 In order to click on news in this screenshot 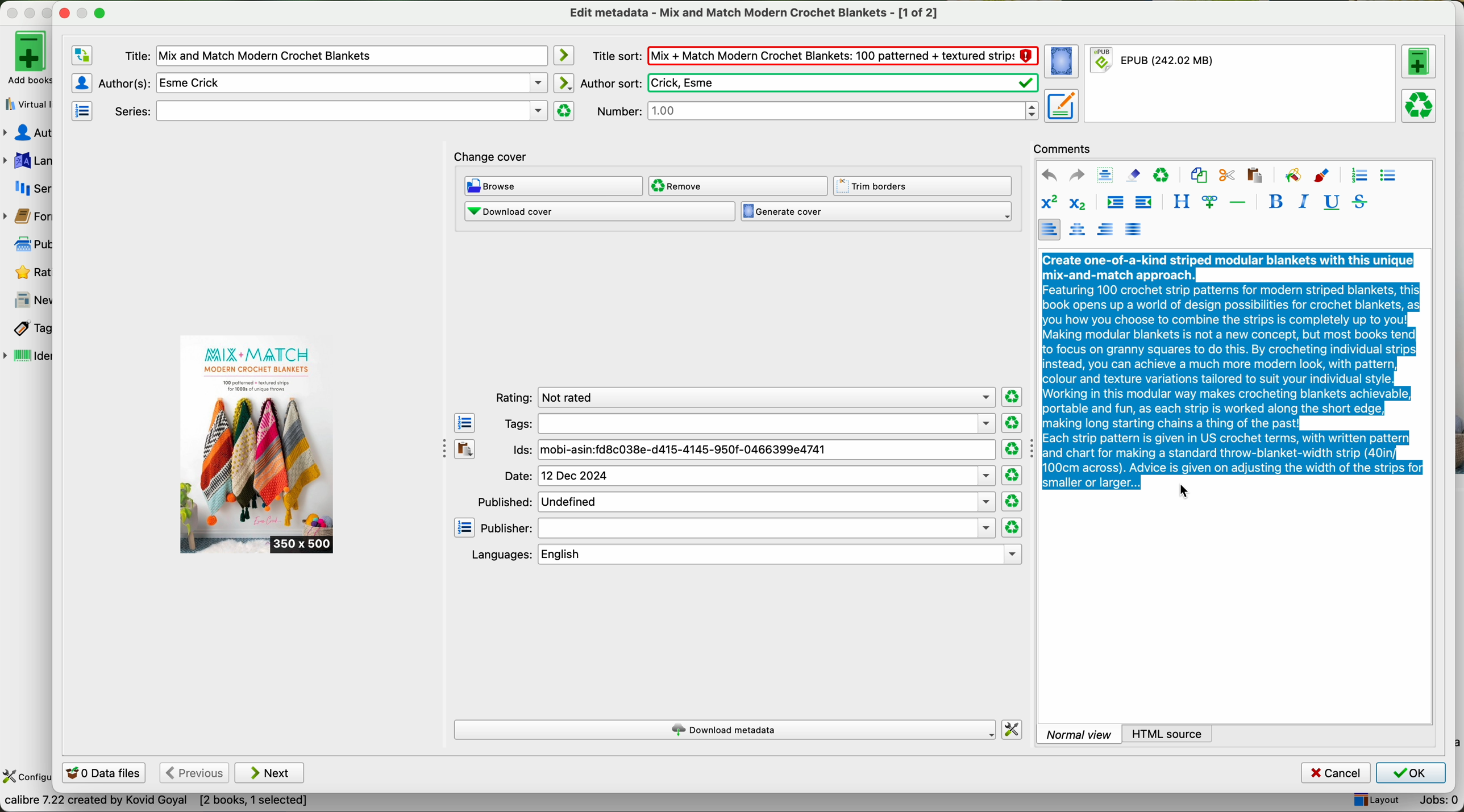, I will do `click(28, 301)`.